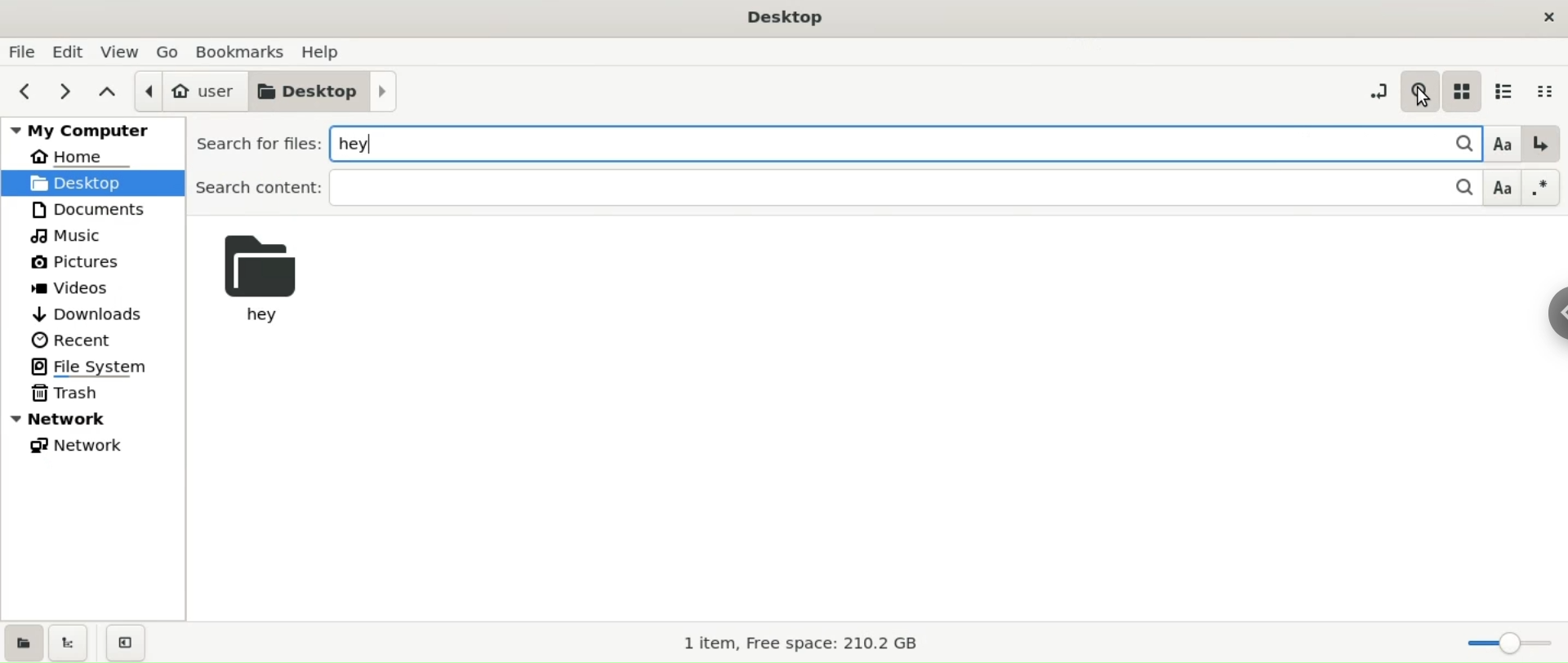 This screenshot has width=1568, height=663. I want to click on cursor, so click(1423, 99).